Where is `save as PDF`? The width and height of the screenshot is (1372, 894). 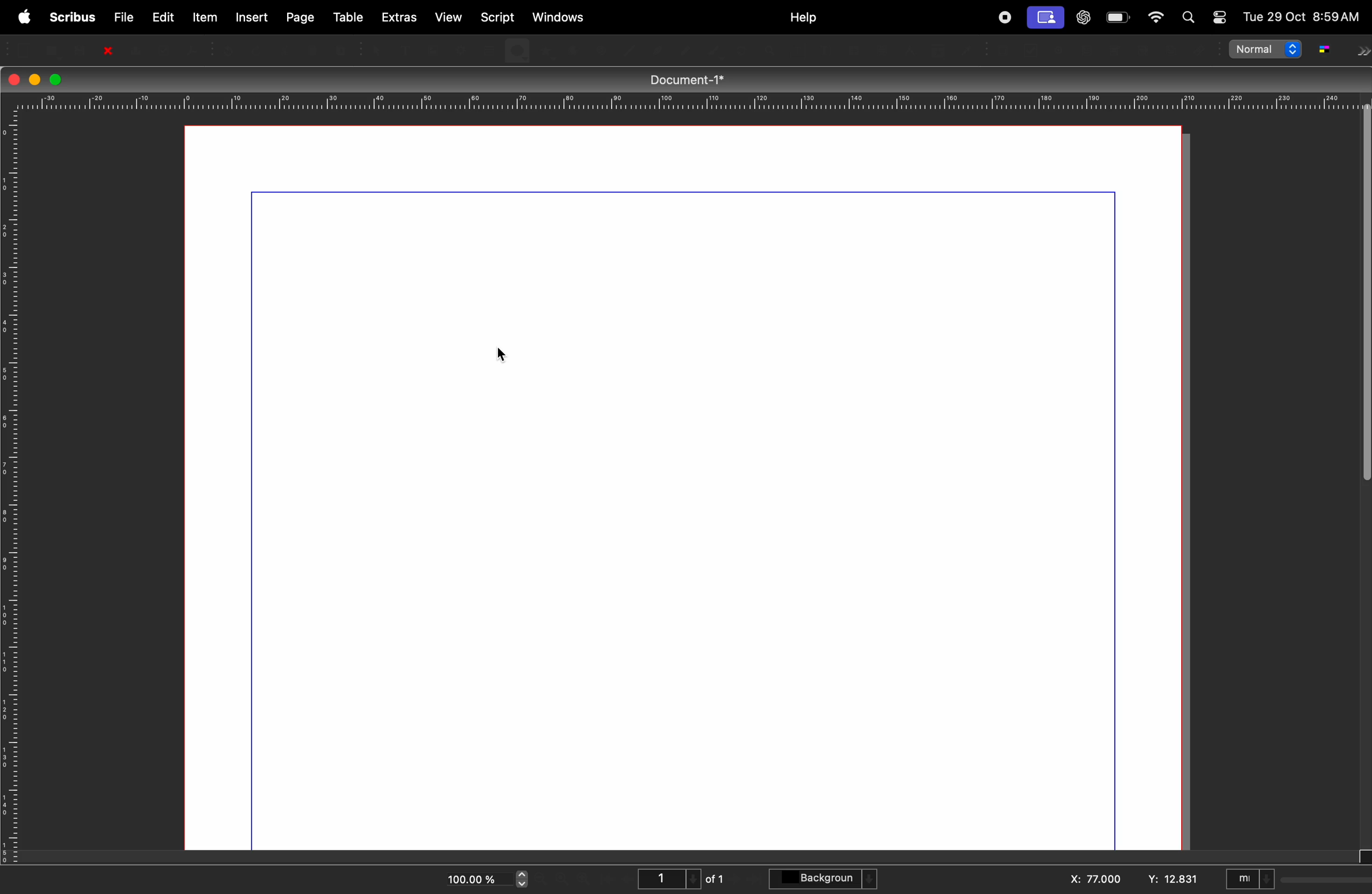
save as PDF is located at coordinates (194, 48).